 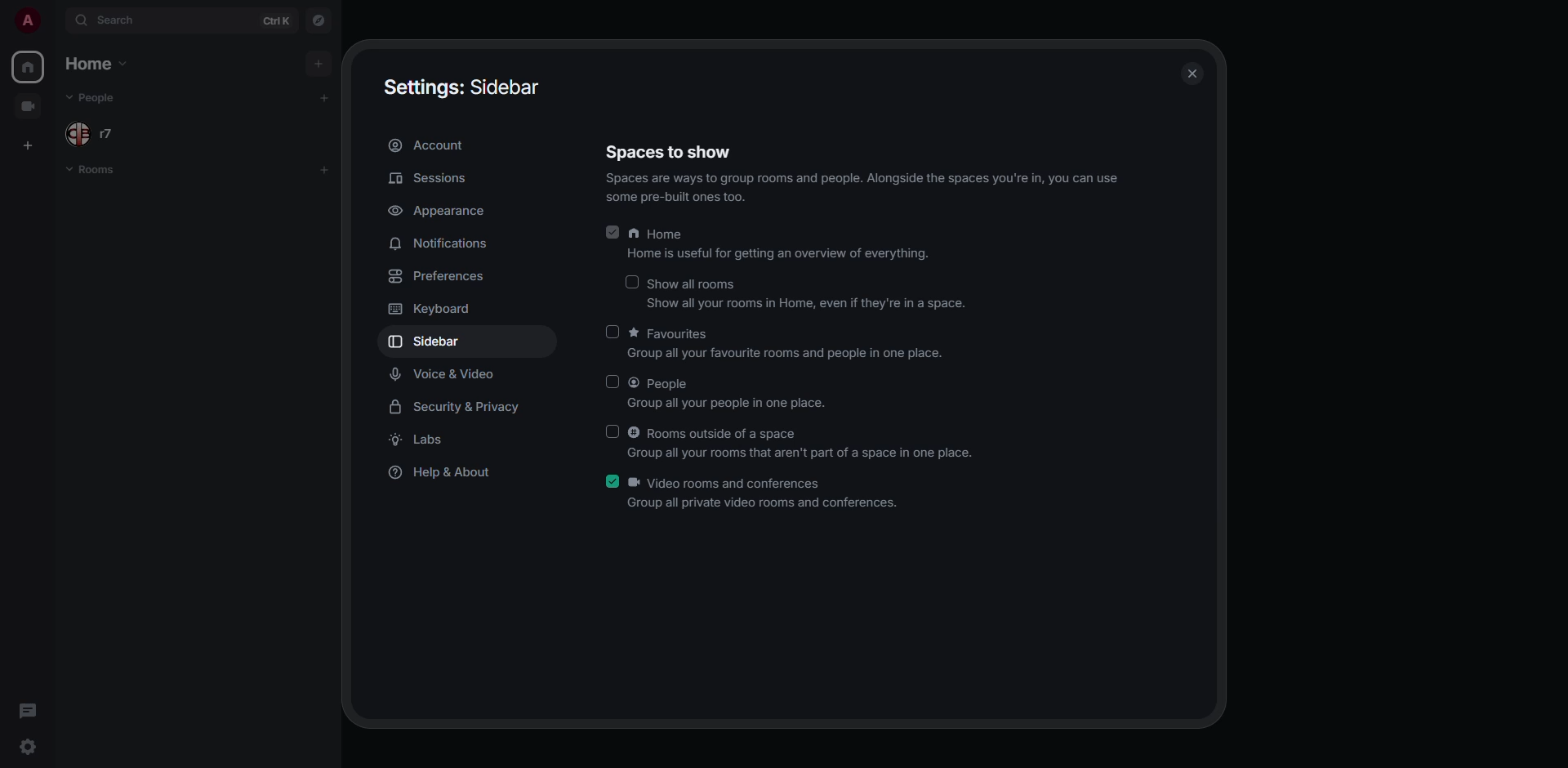 I want to click on home, so click(x=784, y=243).